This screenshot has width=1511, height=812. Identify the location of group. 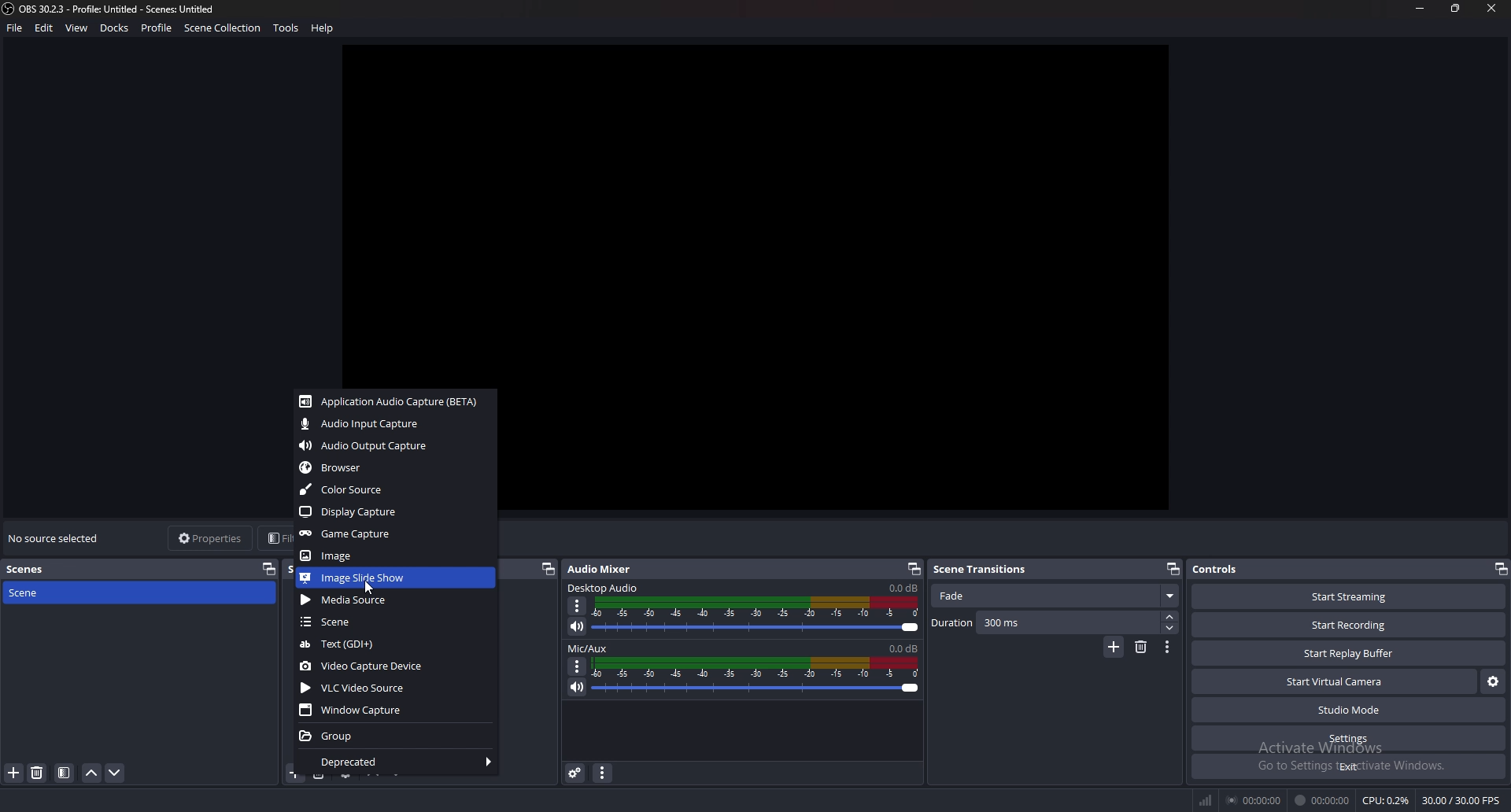
(397, 736).